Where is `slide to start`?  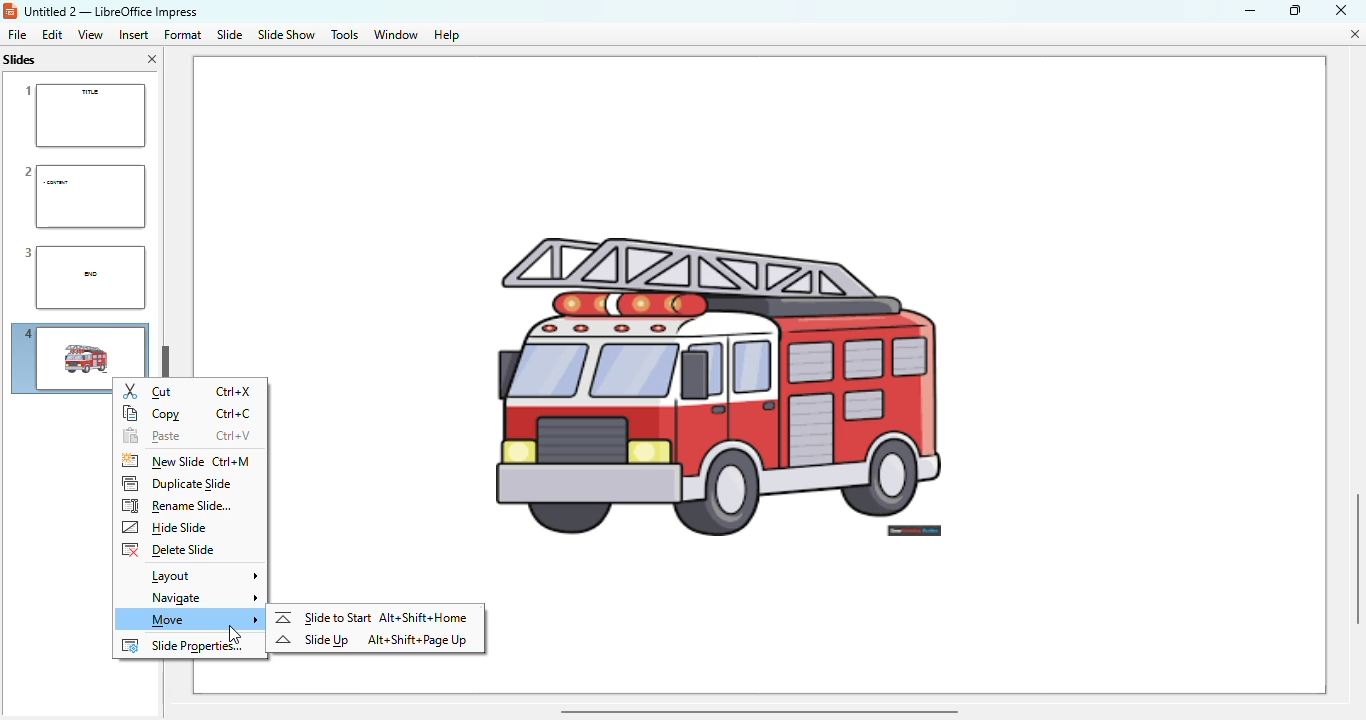
slide to start is located at coordinates (323, 617).